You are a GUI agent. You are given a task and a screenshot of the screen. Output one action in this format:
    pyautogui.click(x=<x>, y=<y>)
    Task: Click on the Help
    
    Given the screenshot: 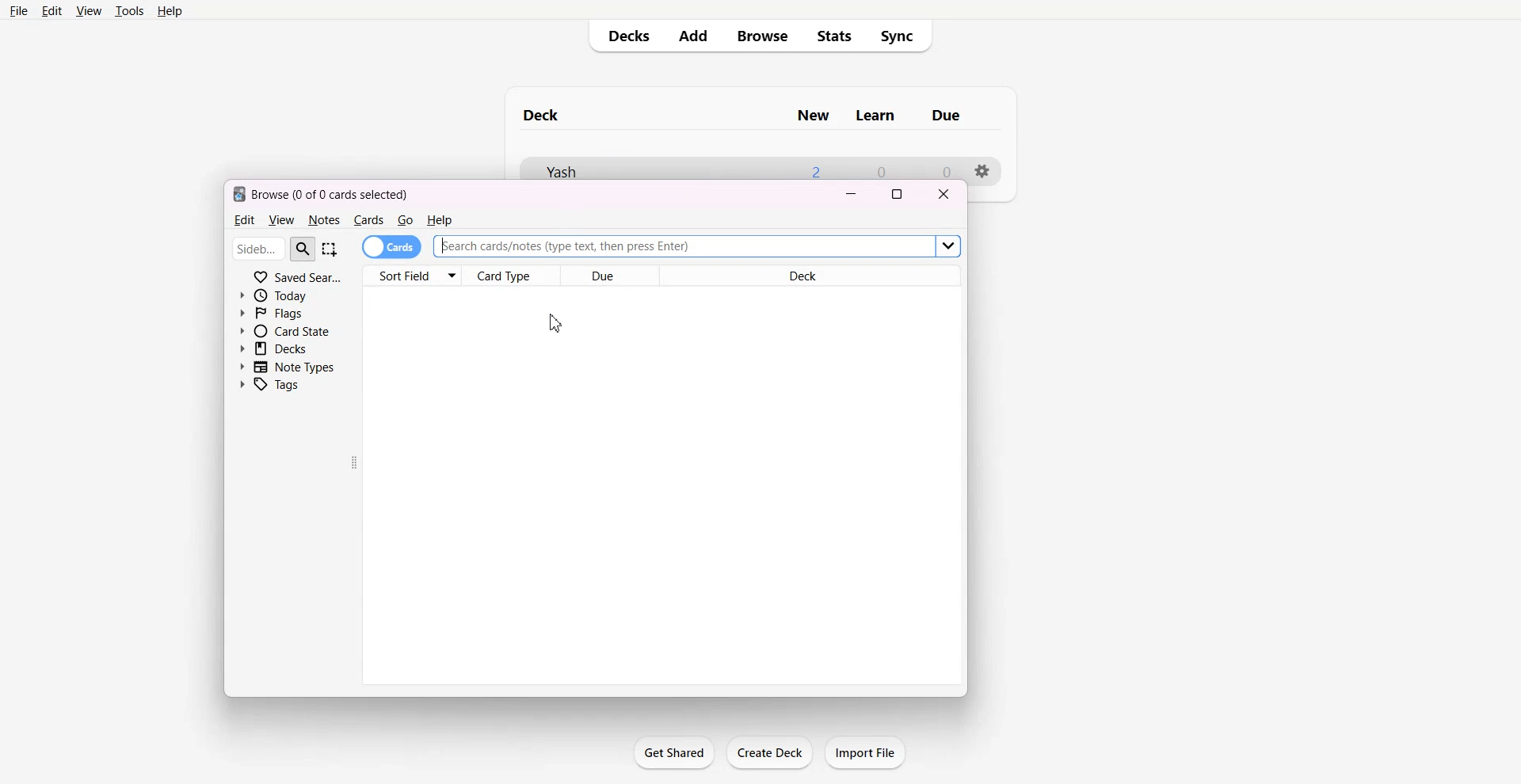 What is the action you would take?
    pyautogui.click(x=170, y=10)
    